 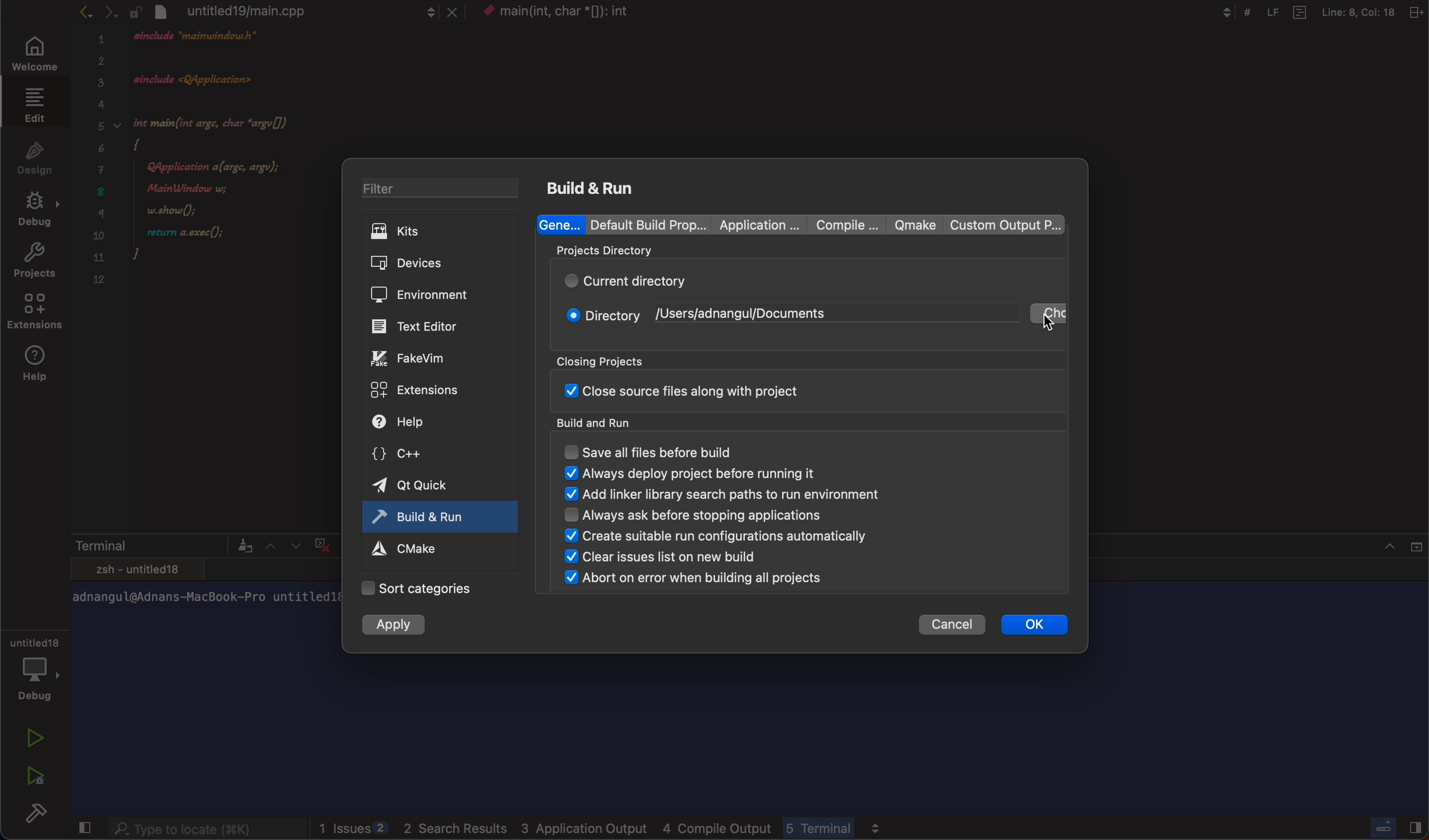 I want to click on environment, so click(x=430, y=292).